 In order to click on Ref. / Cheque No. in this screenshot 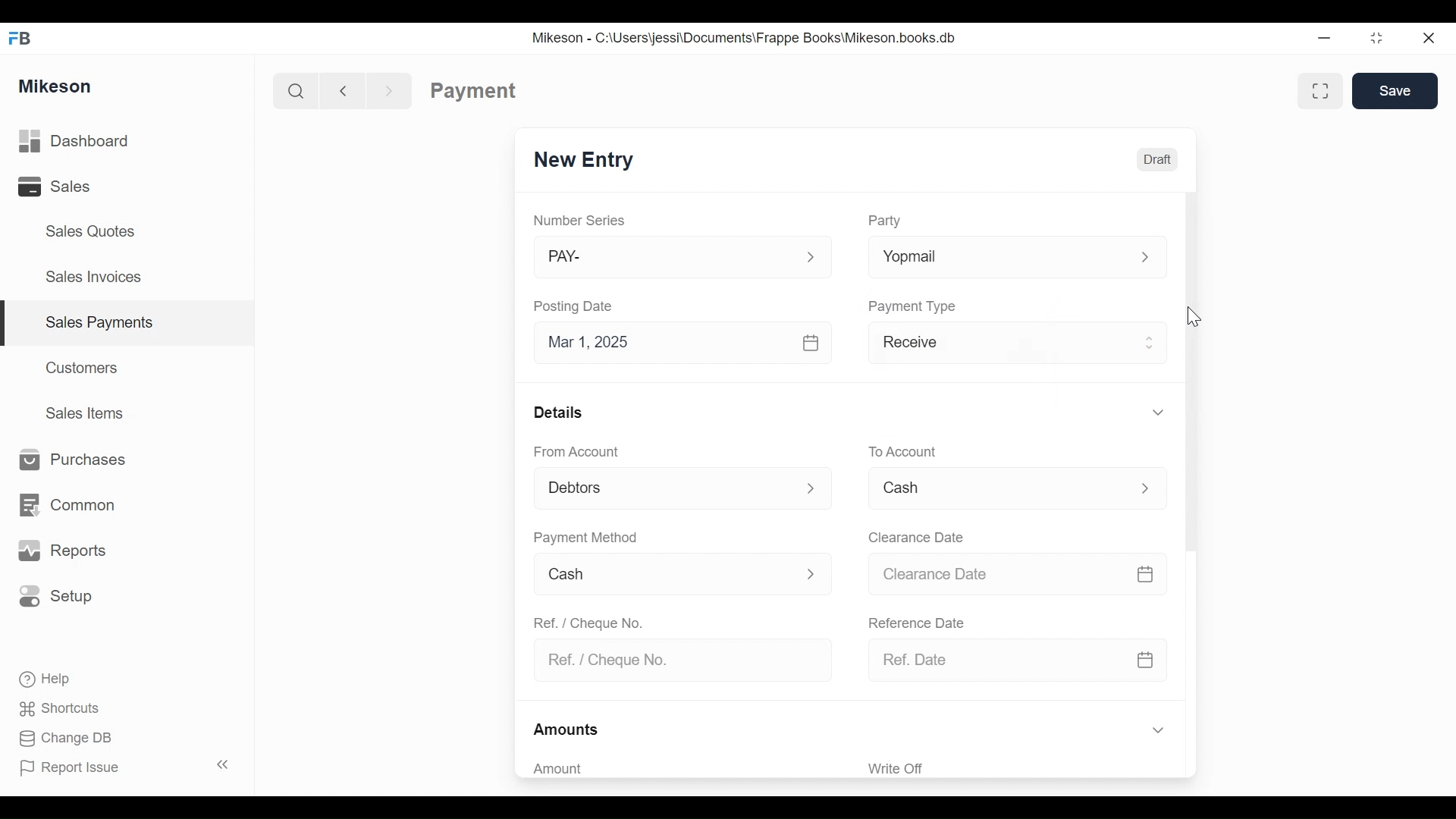, I will do `click(687, 660)`.